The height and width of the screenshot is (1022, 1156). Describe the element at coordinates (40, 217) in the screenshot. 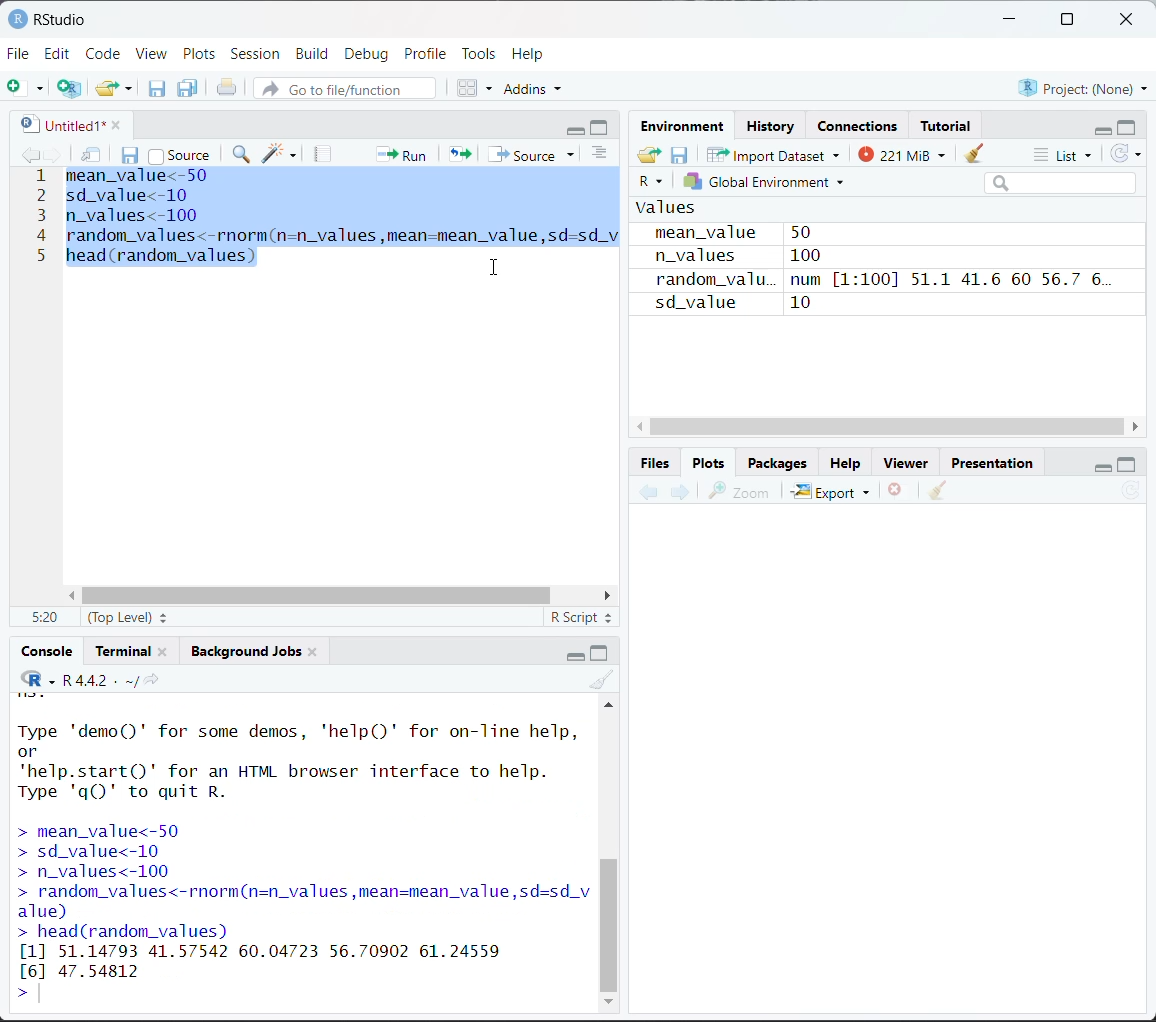

I see `line number` at that location.